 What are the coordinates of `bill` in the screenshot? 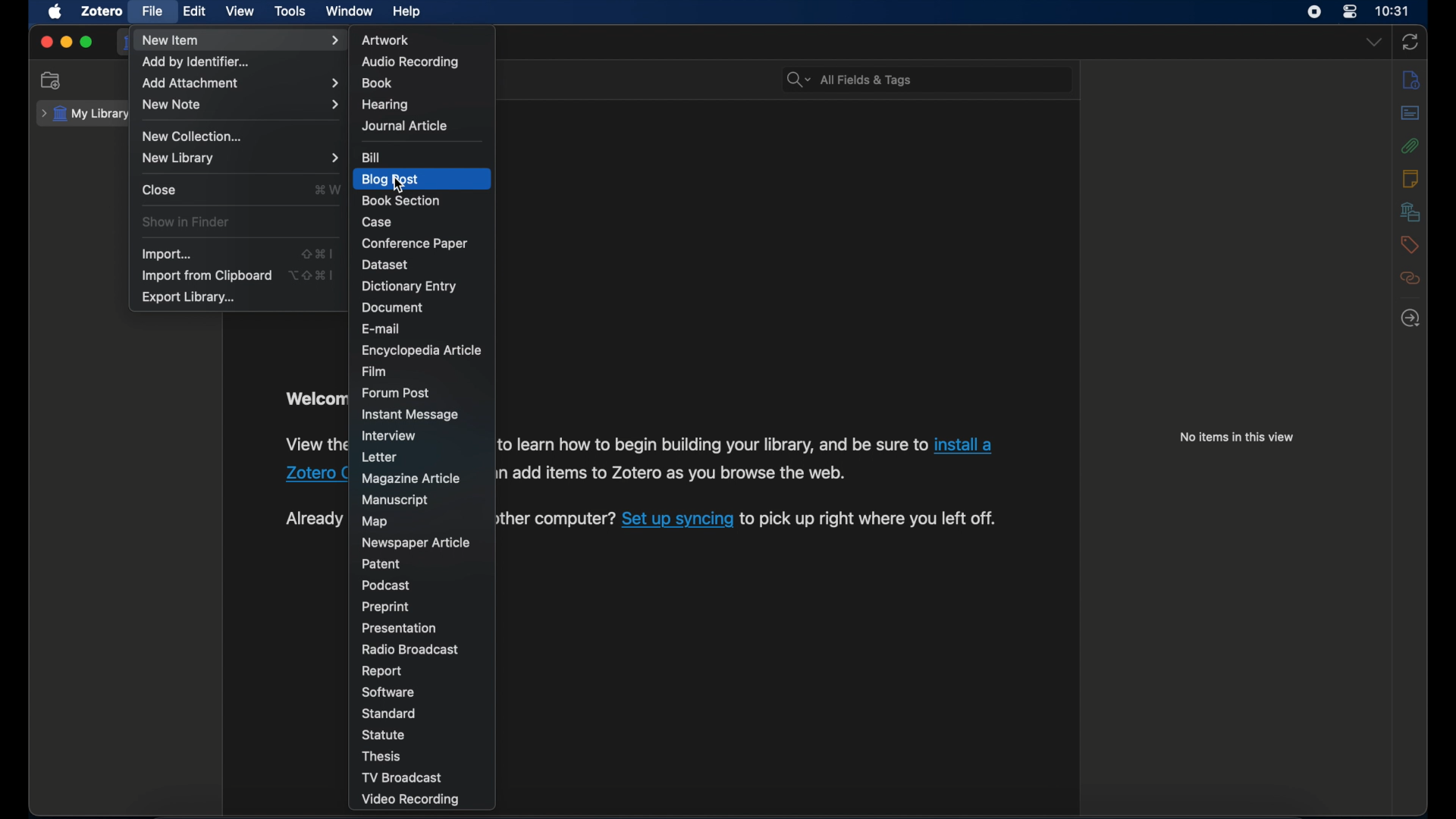 It's located at (372, 158).